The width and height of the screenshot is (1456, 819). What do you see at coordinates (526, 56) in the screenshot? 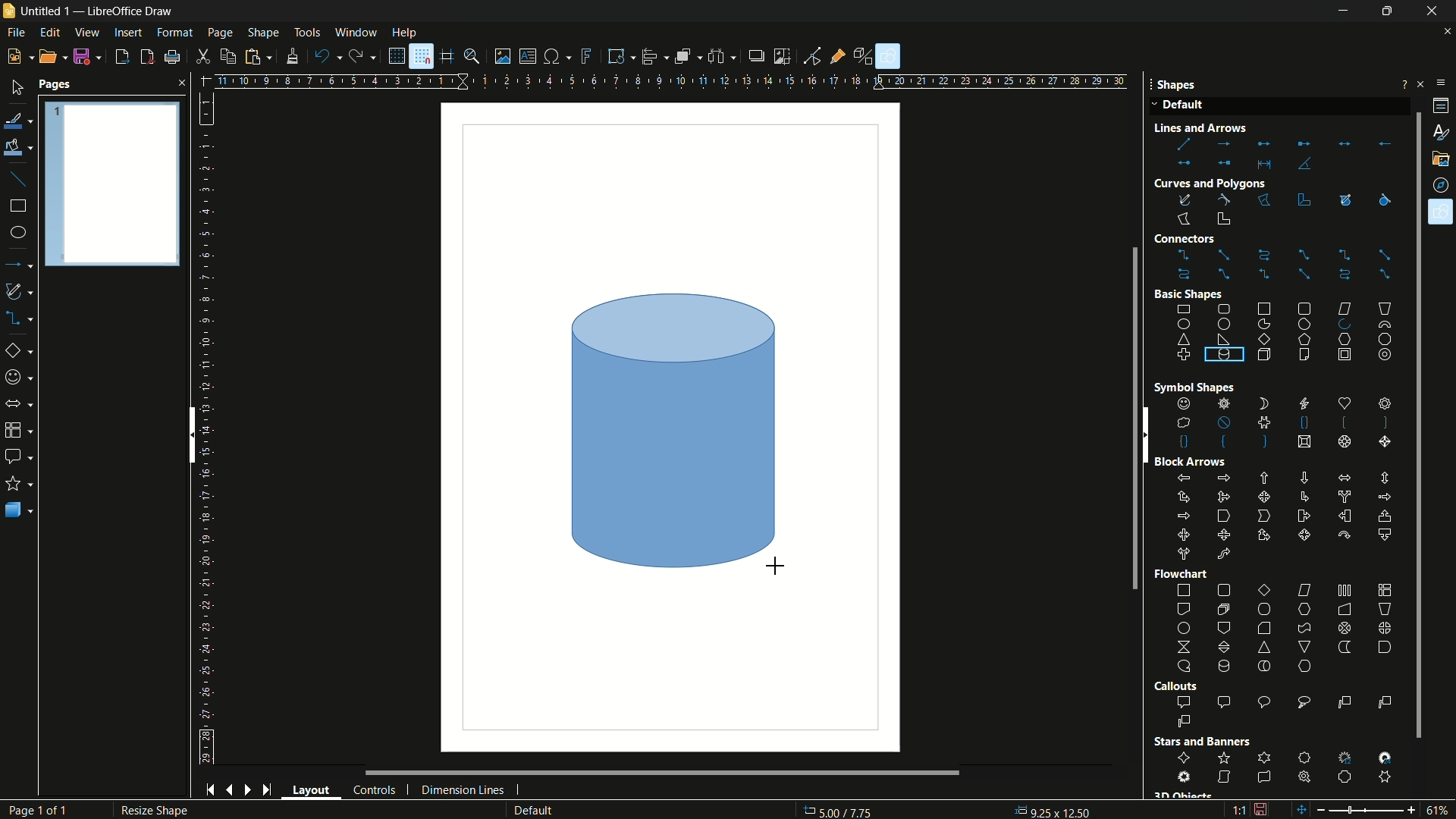
I see `insert textbox` at bounding box center [526, 56].